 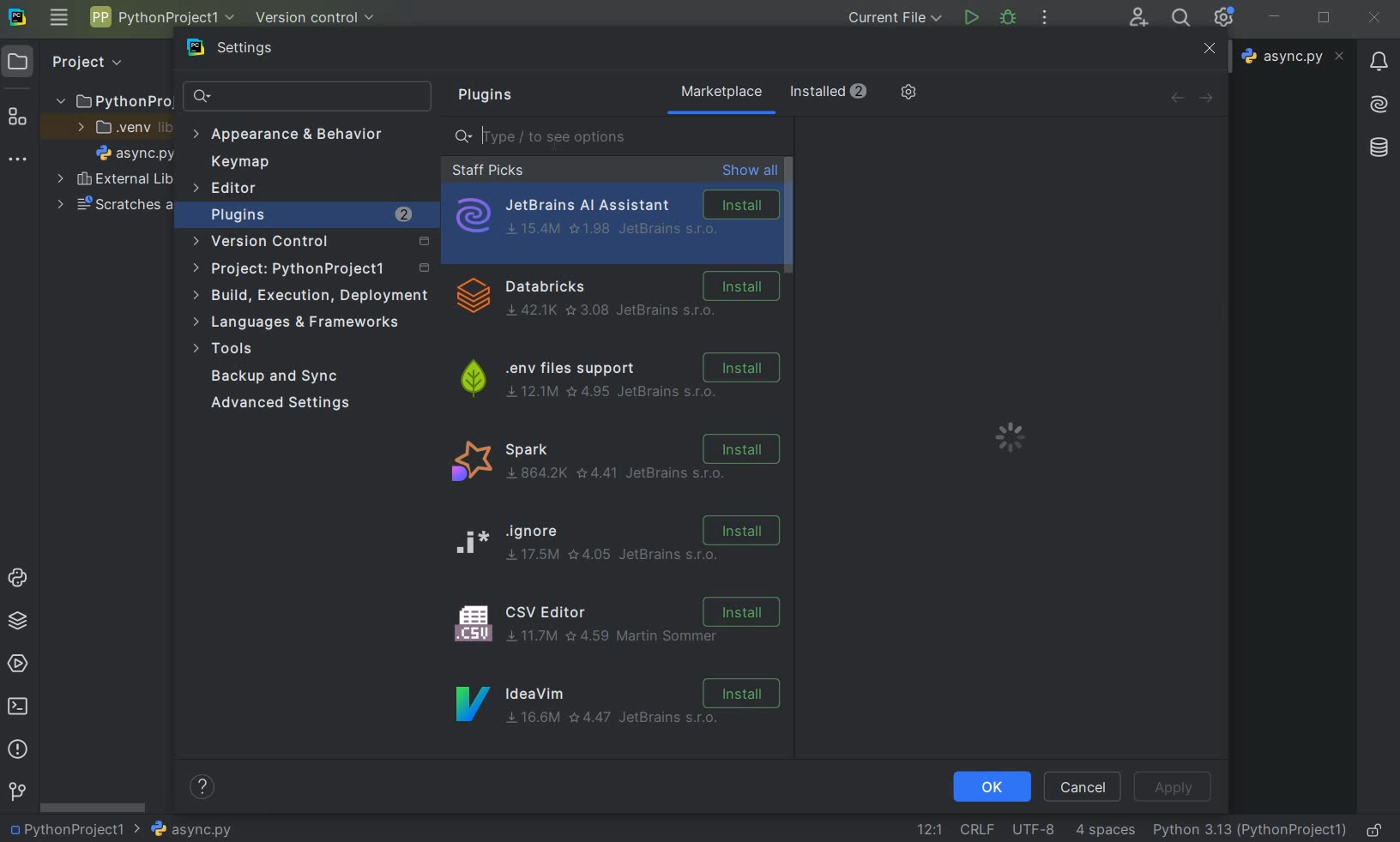 What do you see at coordinates (18, 162) in the screenshot?
I see `more tool windows` at bounding box center [18, 162].